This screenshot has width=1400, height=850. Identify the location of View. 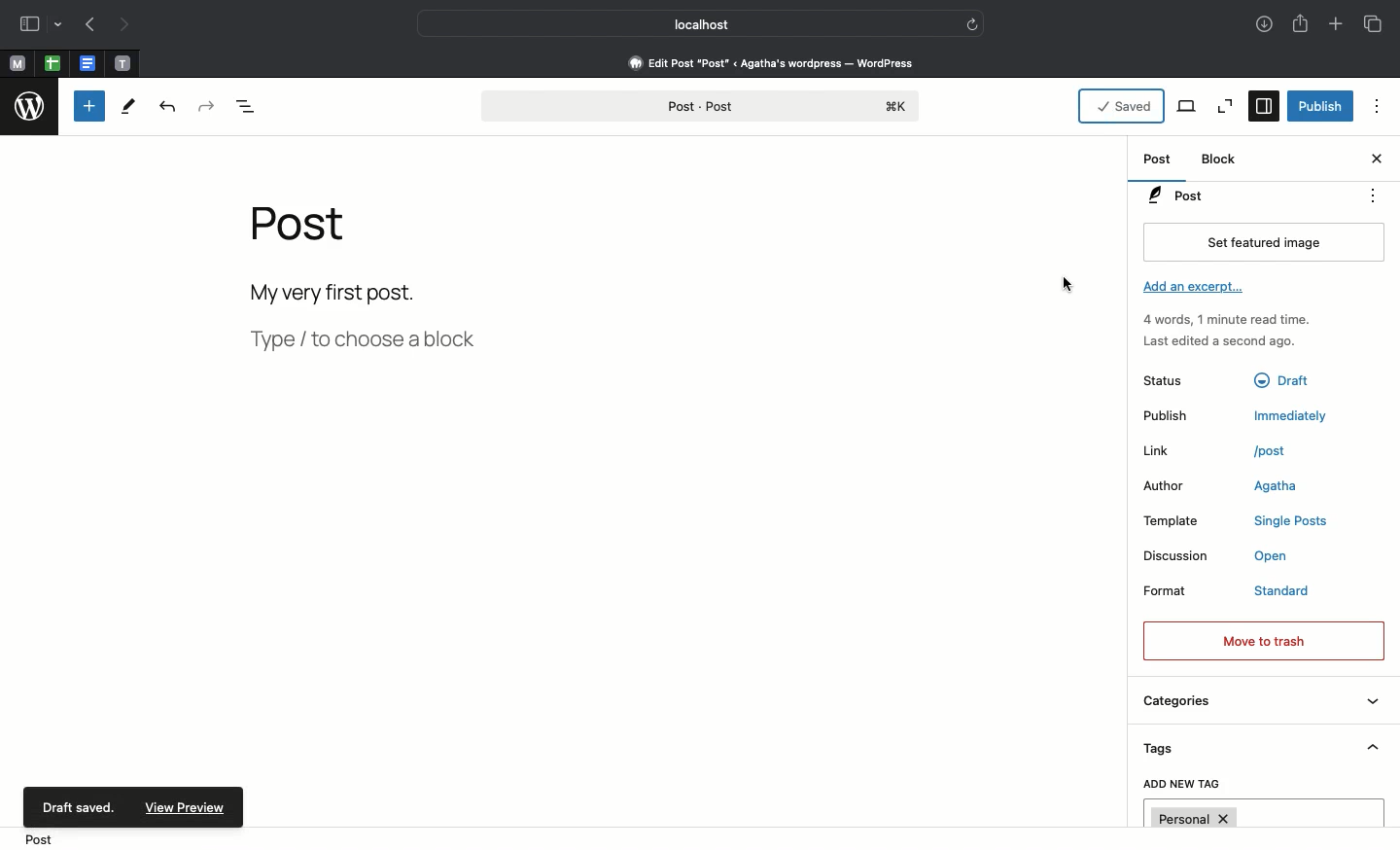
(1188, 106).